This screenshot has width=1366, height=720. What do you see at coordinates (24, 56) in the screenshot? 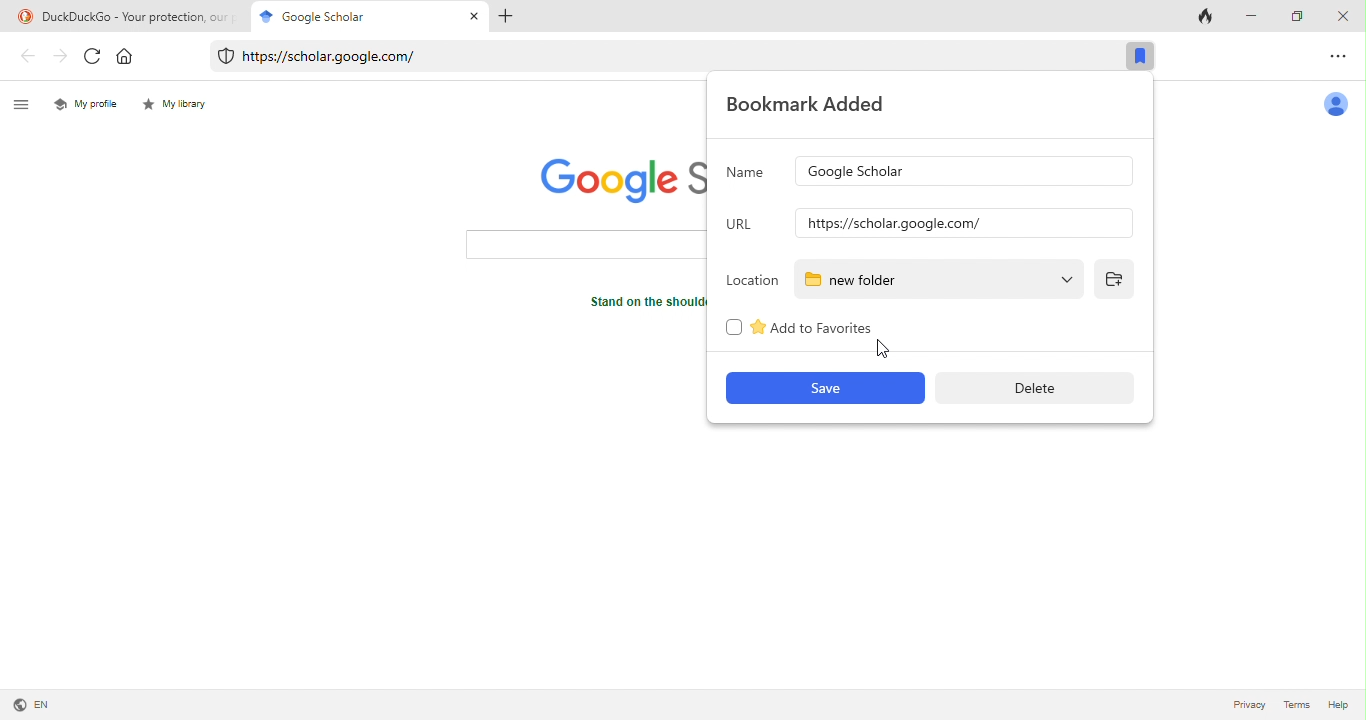
I see `back` at bounding box center [24, 56].